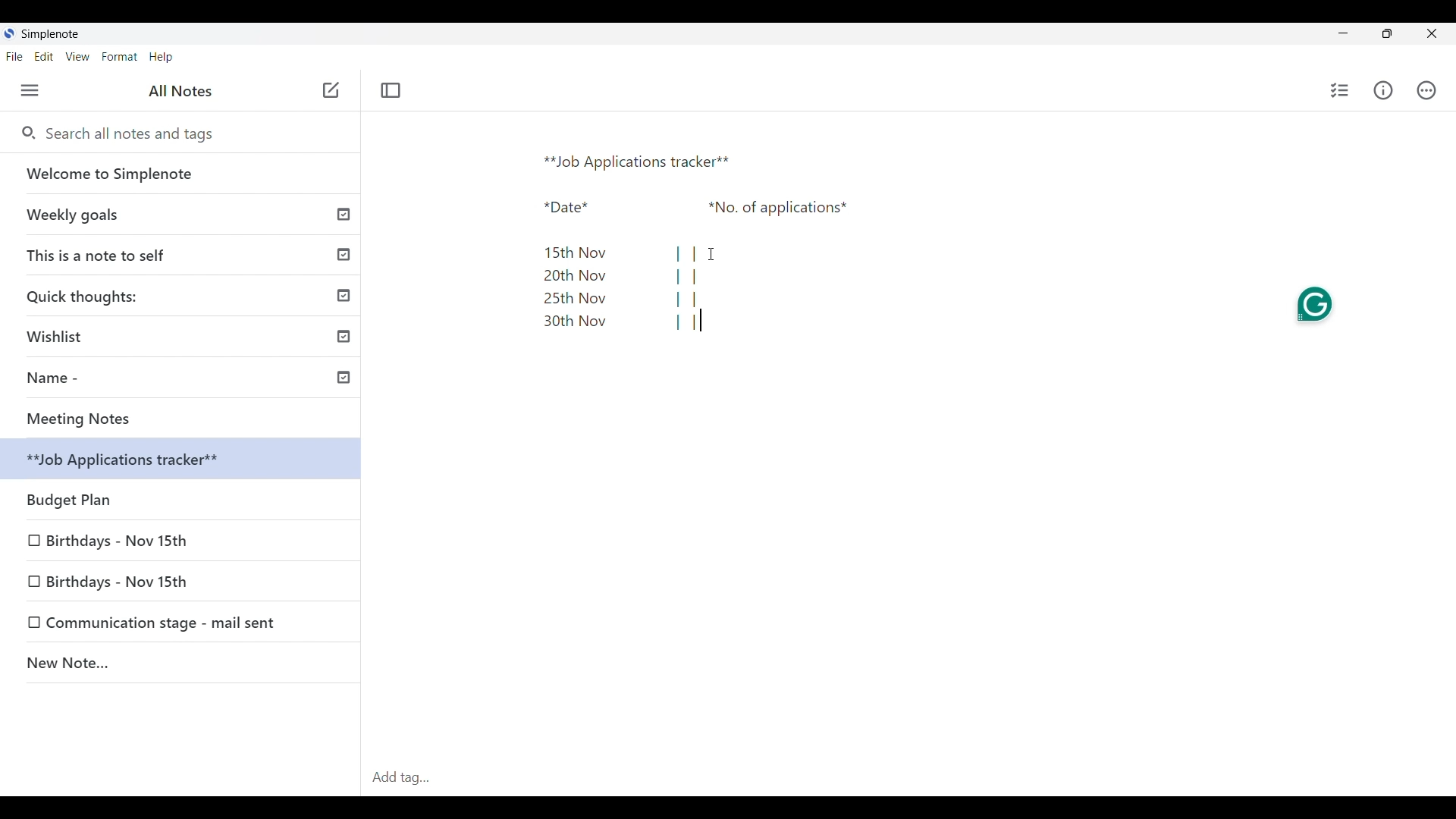 This screenshot has height=819, width=1456. Describe the element at coordinates (161, 58) in the screenshot. I see `Help ` at that location.